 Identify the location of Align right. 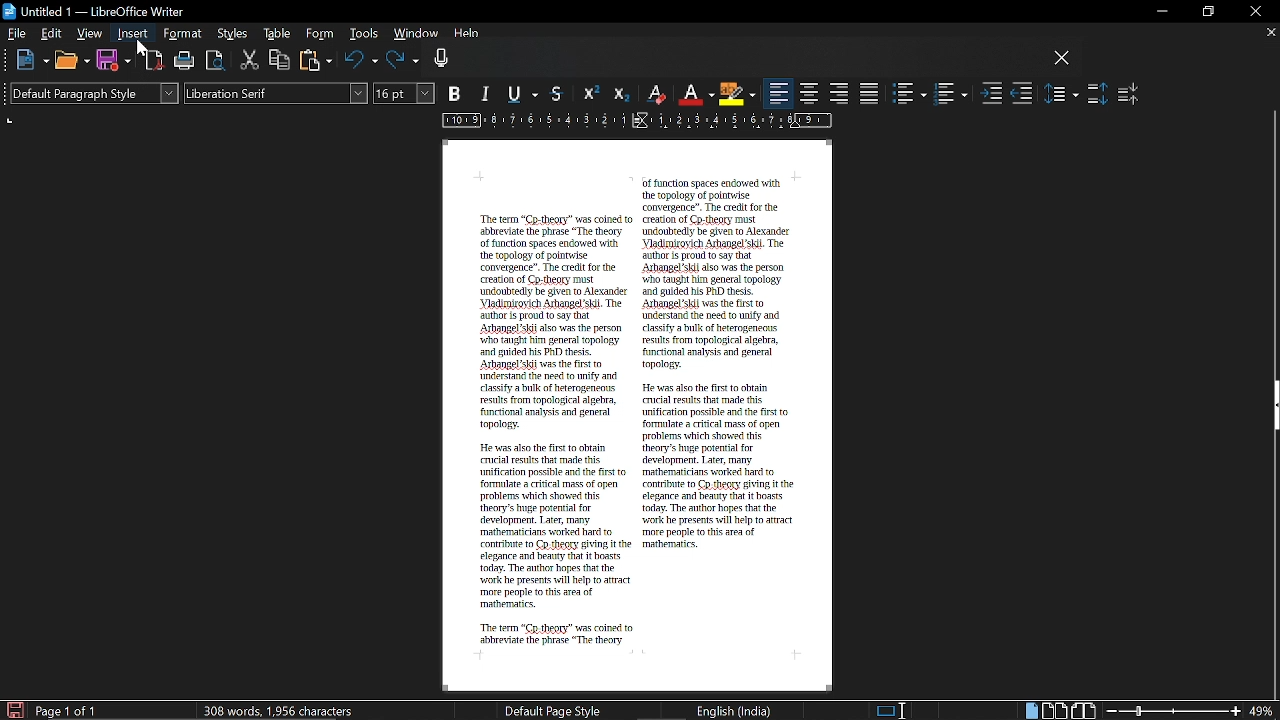
(840, 92).